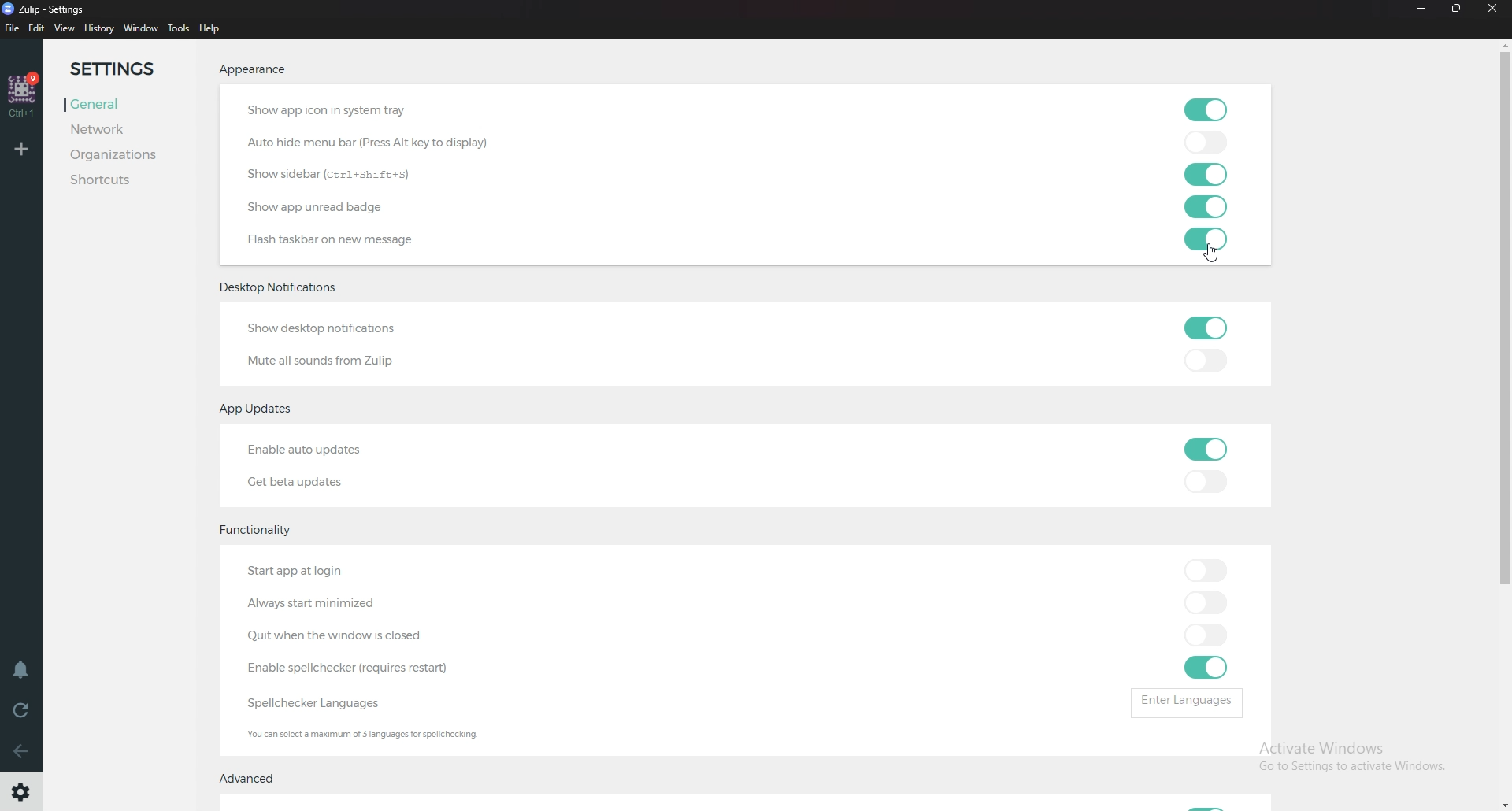 This screenshot has width=1512, height=811. Describe the element at coordinates (1205, 327) in the screenshot. I see `toggle` at that location.